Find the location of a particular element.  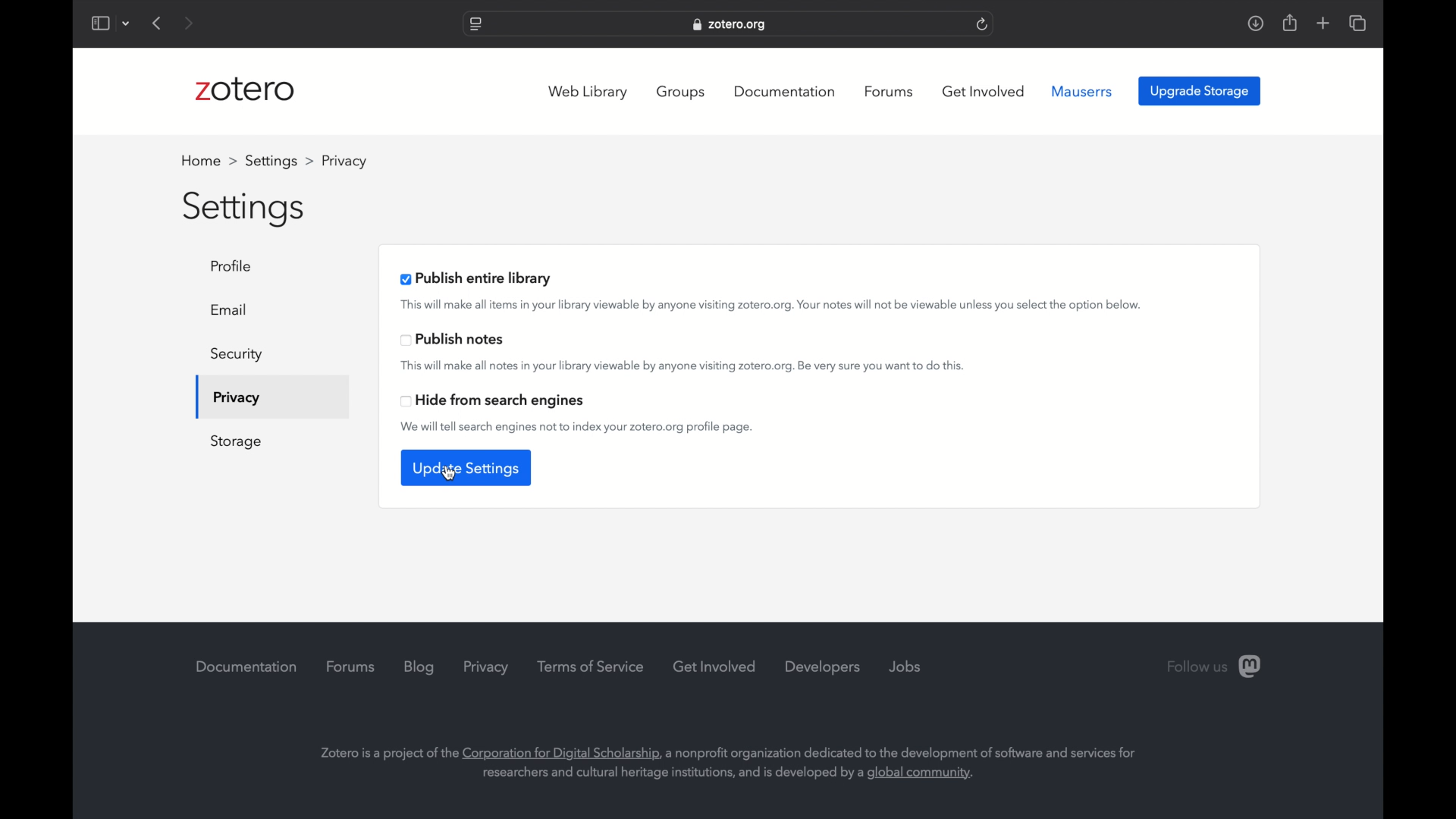

forums is located at coordinates (891, 92).